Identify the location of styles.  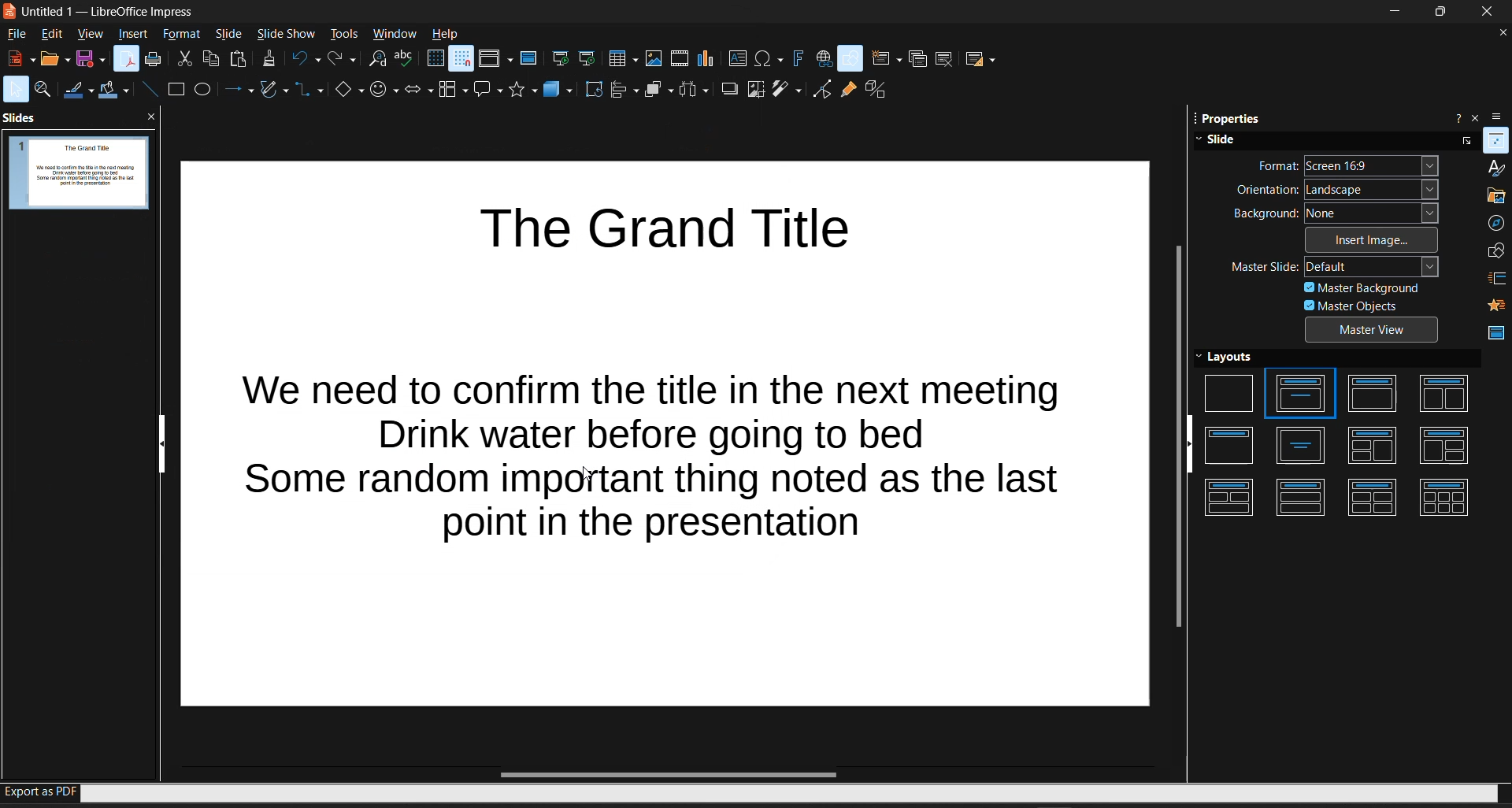
(1496, 169).